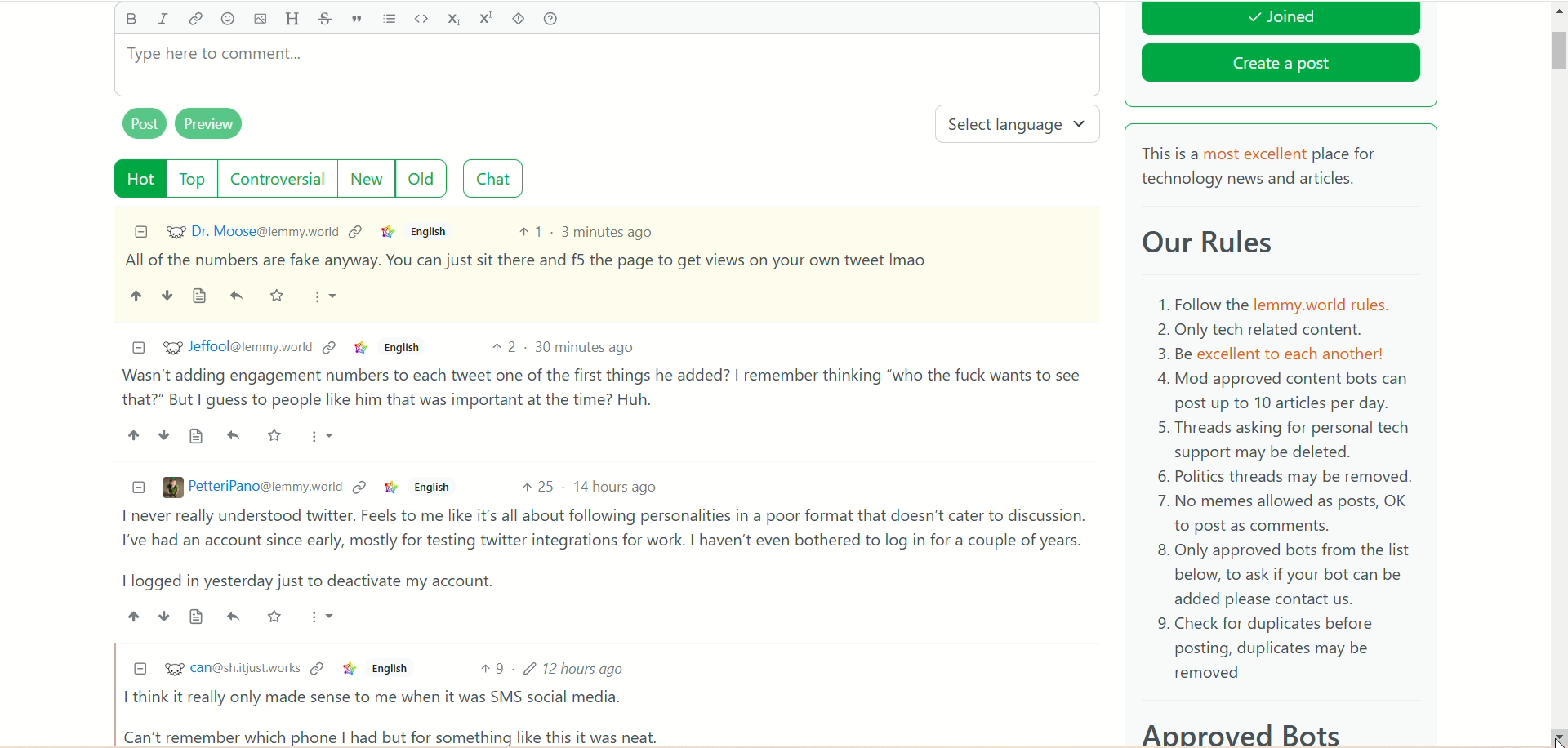  What do you see at coordinates (210, 124) in the screenshot?
I see `preview` at bounding box center [210, 124].